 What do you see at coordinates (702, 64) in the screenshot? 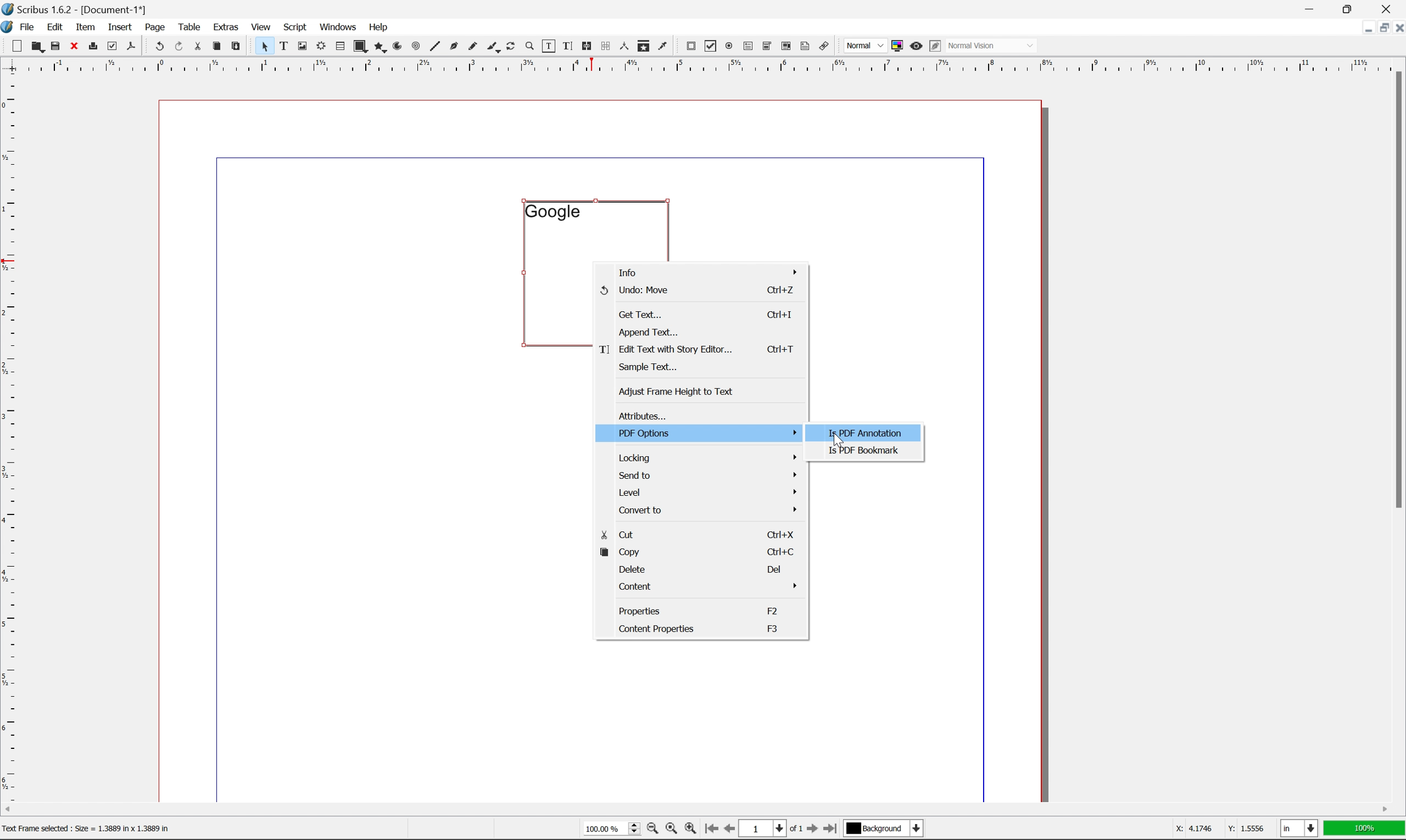
I see `ruler` at bounding box center [702, 64].